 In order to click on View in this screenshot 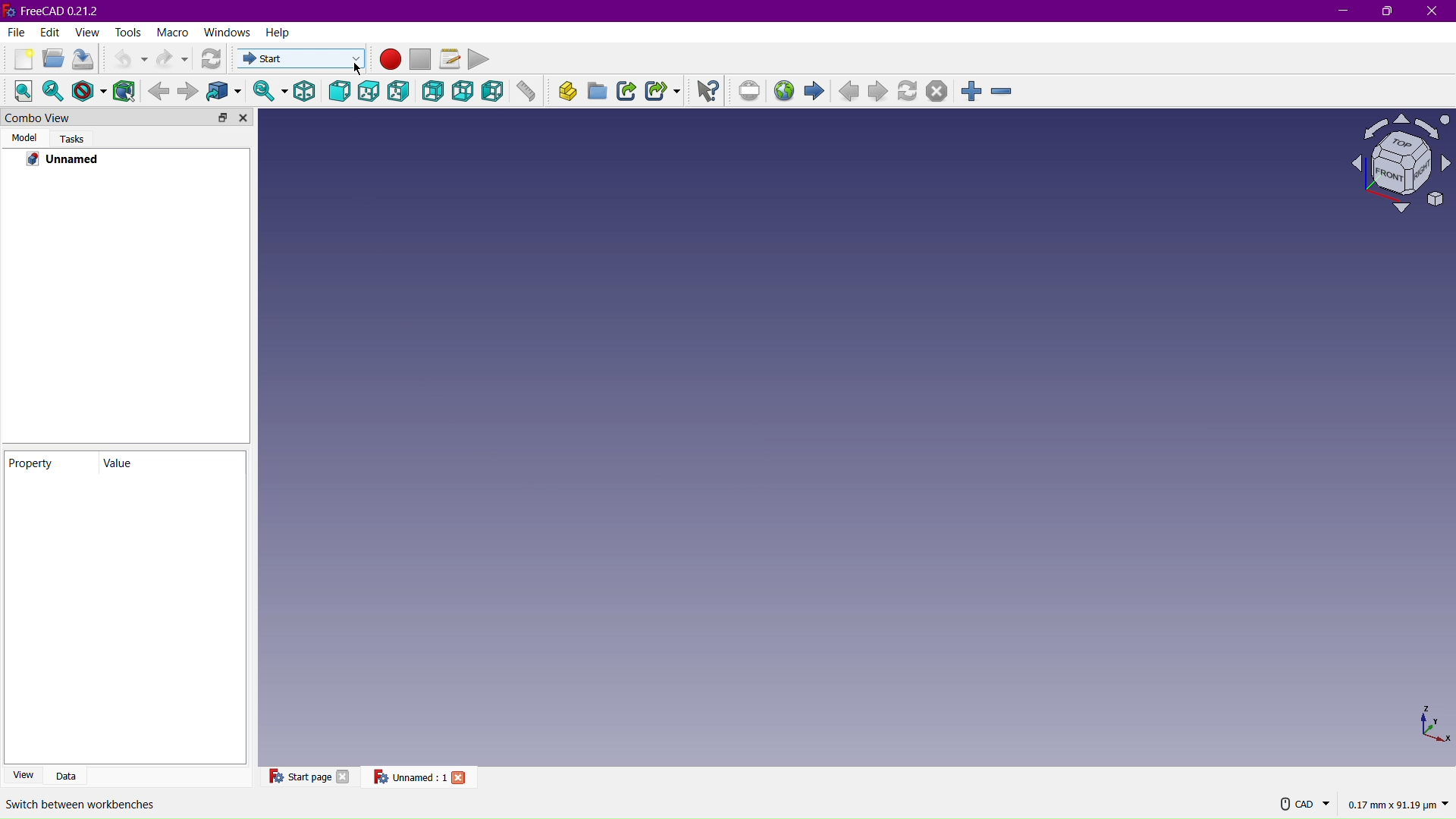, I will do `click(24, 774)`.